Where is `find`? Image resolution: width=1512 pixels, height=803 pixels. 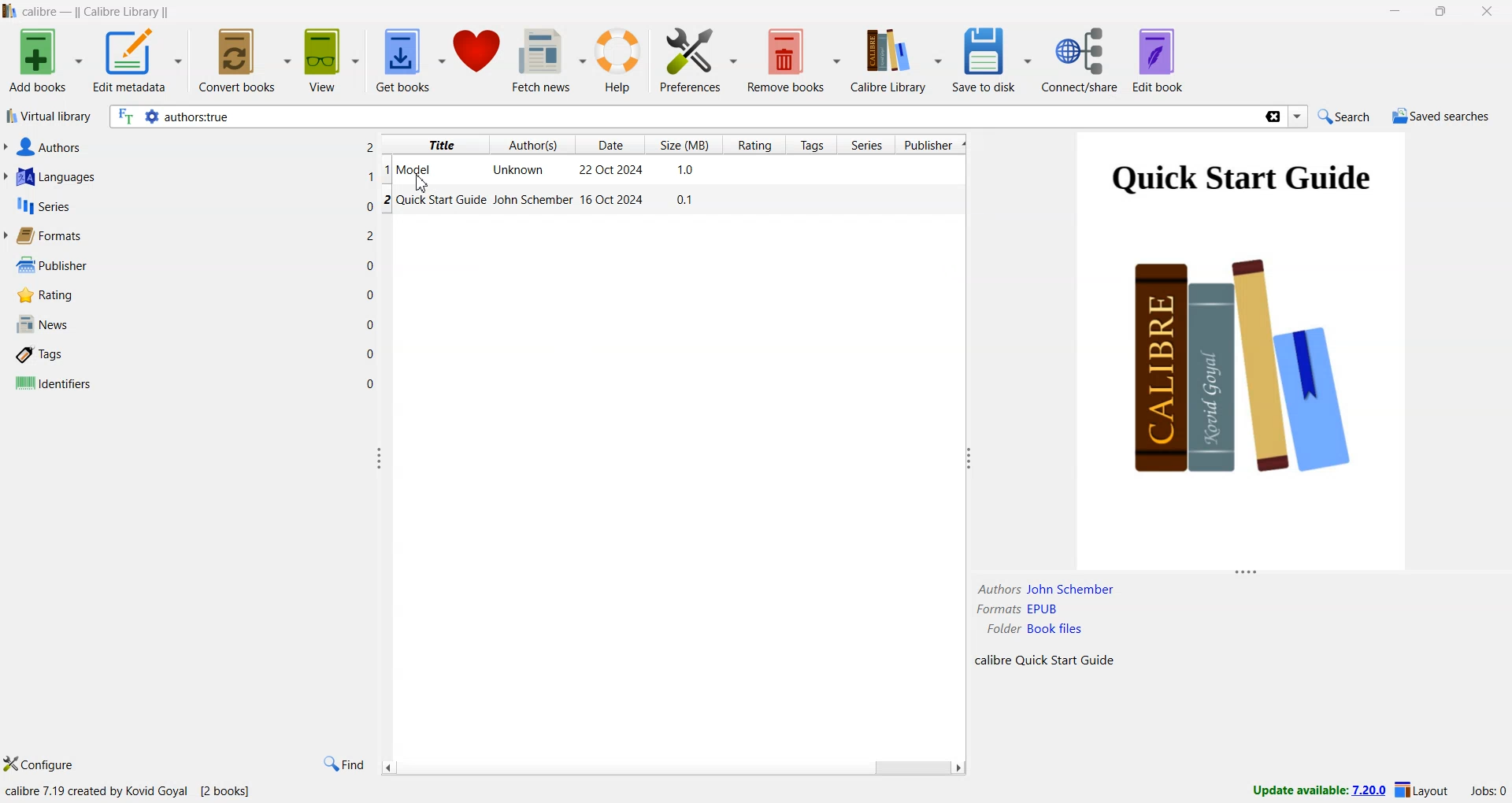
find is located at coordinates (343, 764).